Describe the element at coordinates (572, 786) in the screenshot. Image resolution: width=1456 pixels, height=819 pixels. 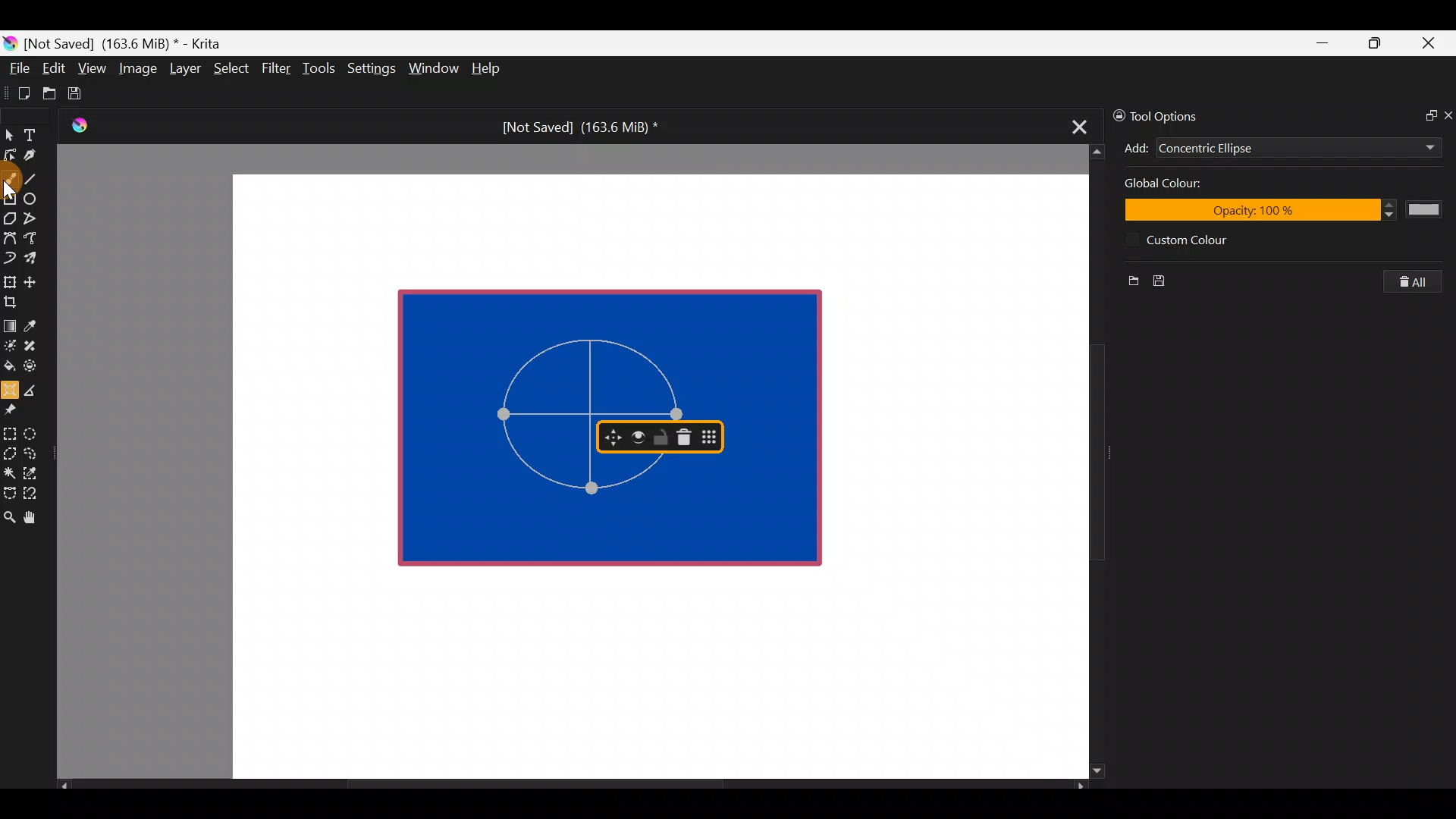
I see `Scroll bar` at that location.